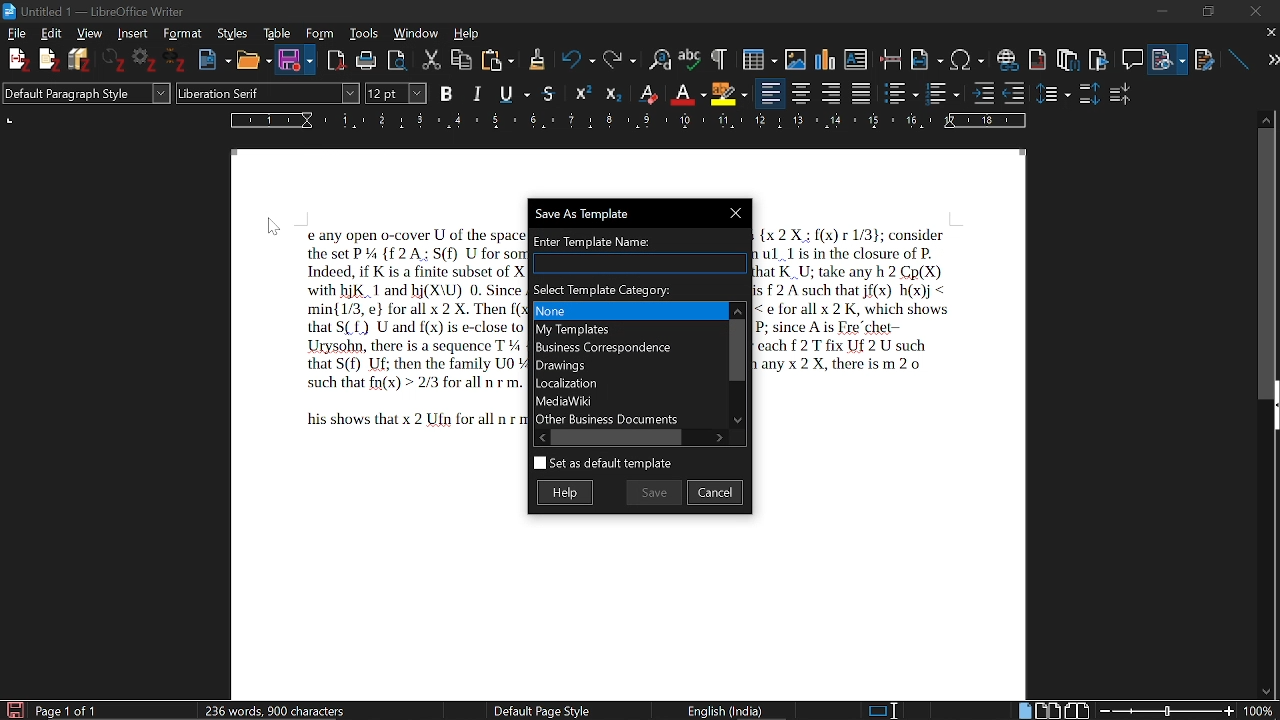  Describe the element at coordinates (1121, 97) in the screenshot. I see `decrease paragraph space` at that location.